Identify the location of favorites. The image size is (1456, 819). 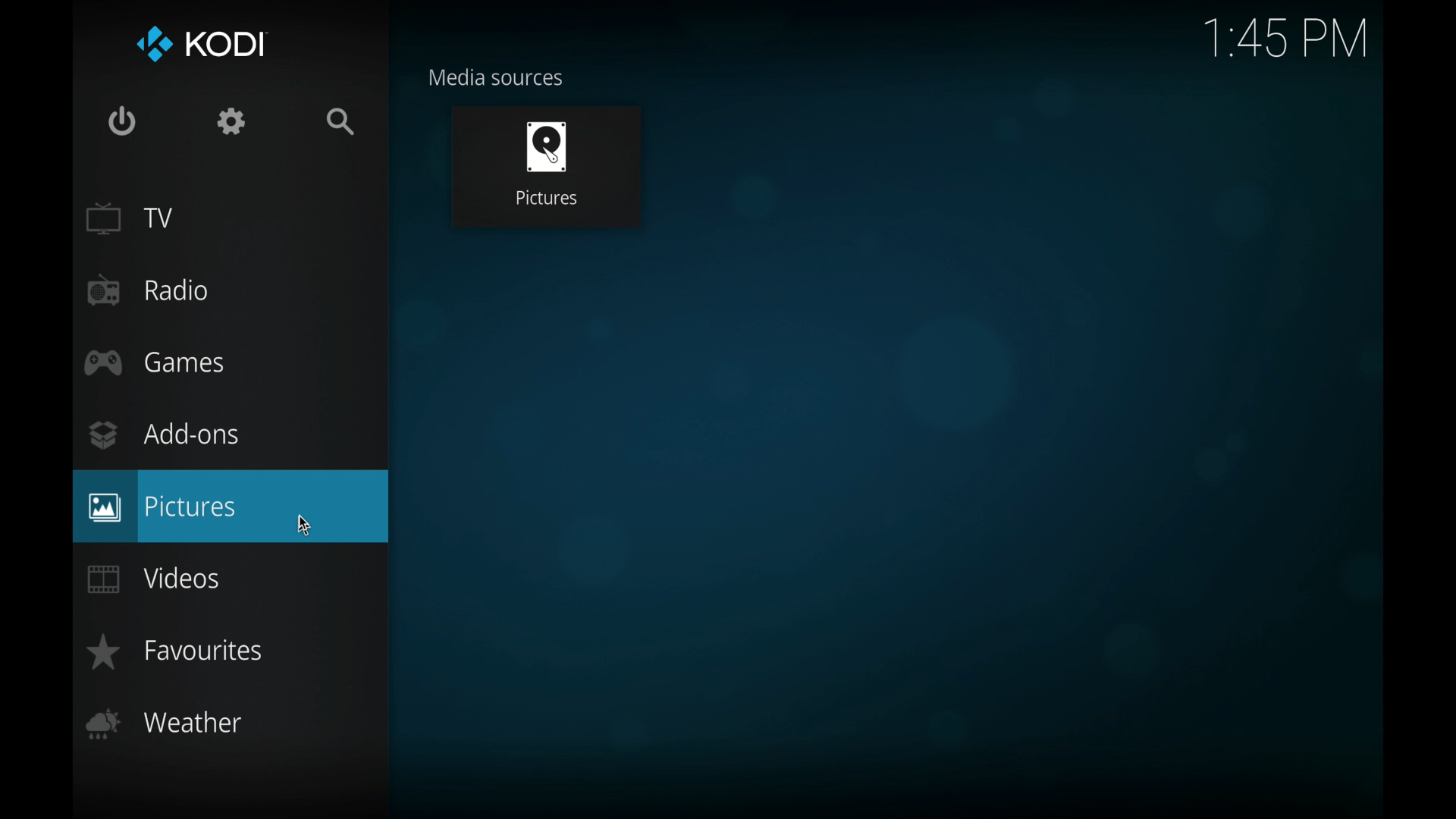
(172, 651).